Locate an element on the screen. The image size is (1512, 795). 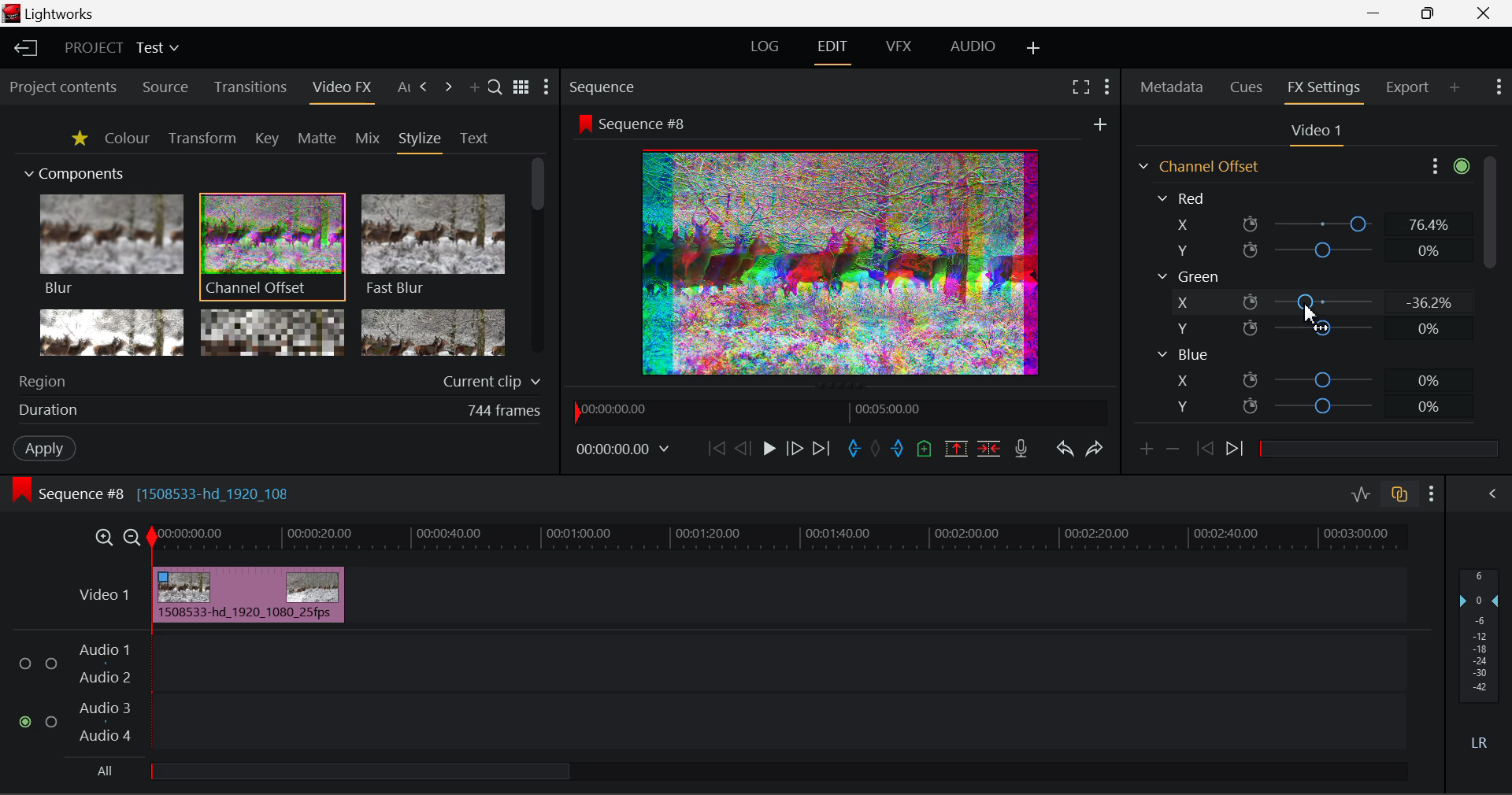
Mosaic is located at coordinates (272, 331).